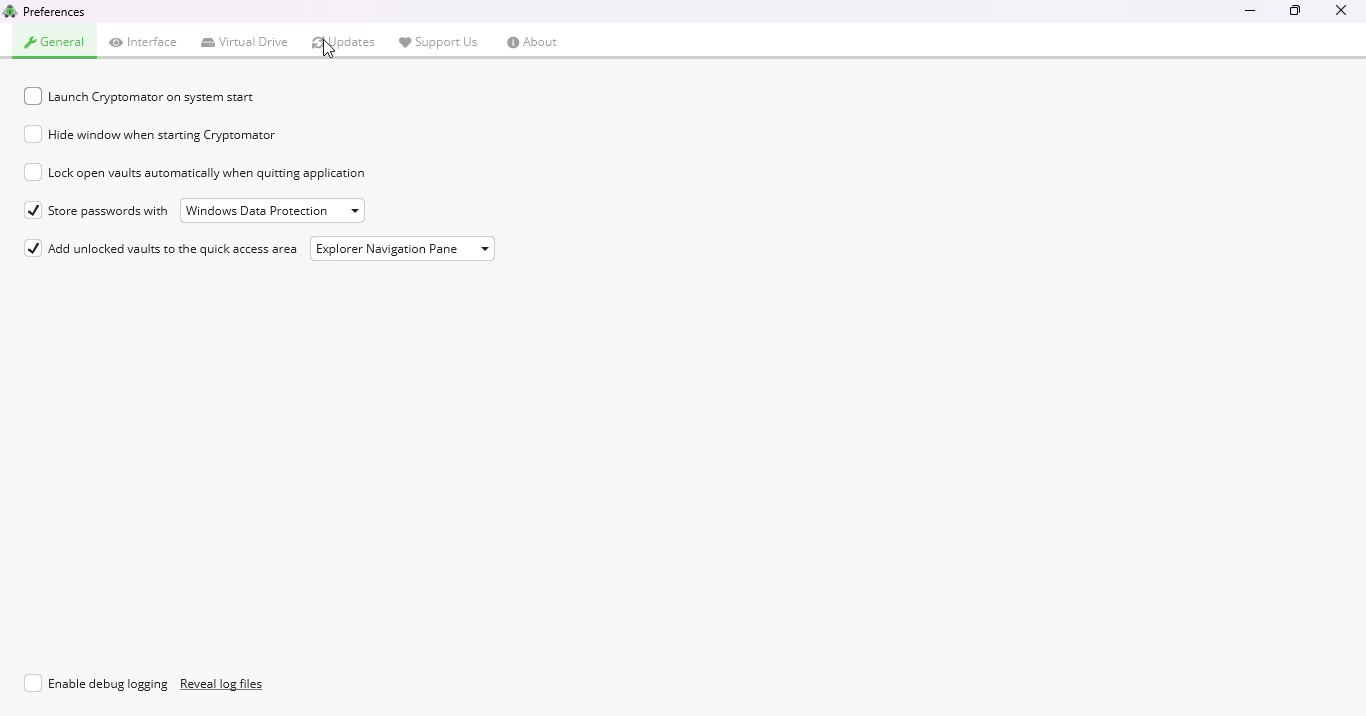  I want to click on enable debug logging, so click(93, 683).